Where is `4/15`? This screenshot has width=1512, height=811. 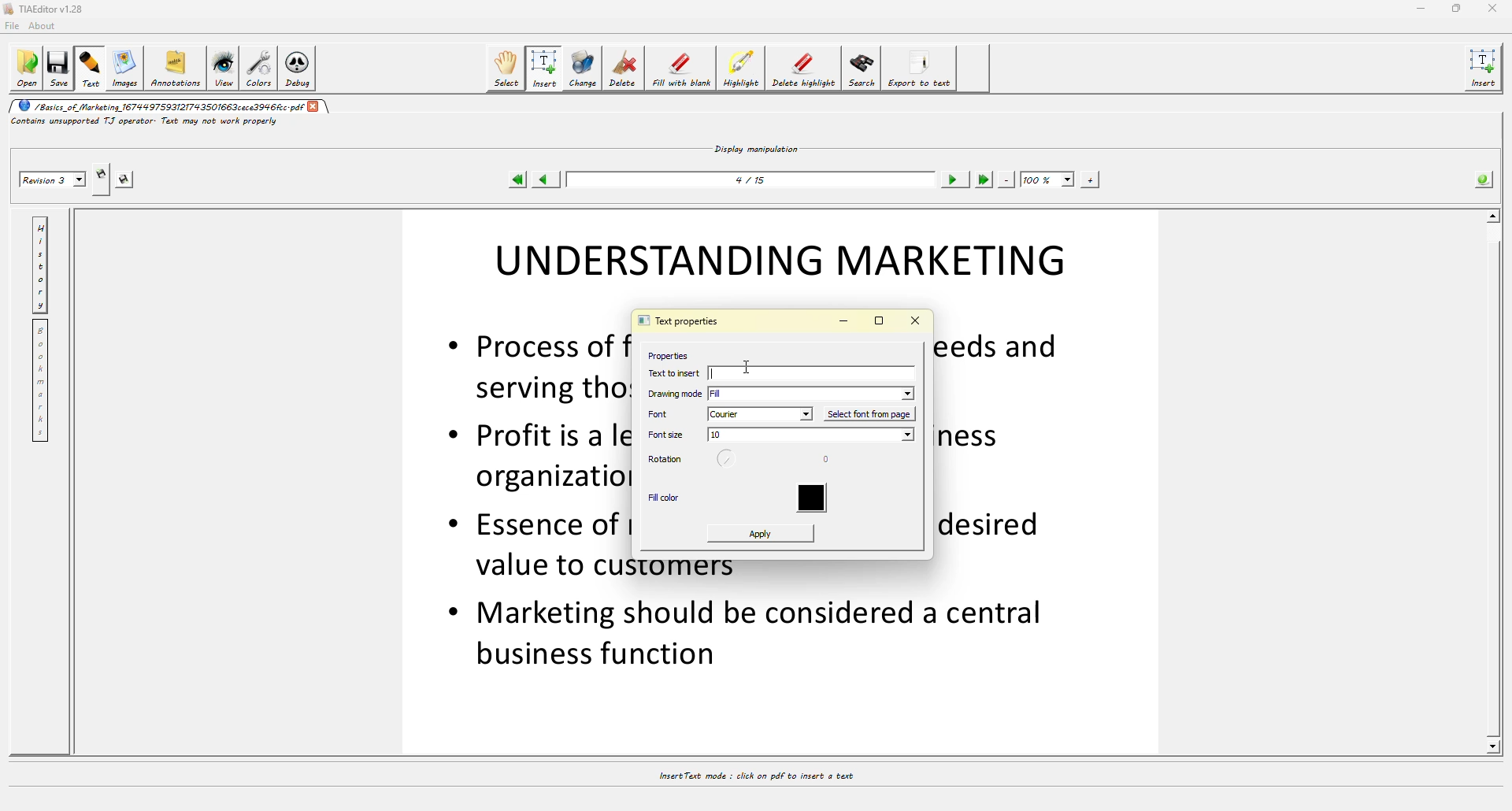 4/15 is located at coordinates (754, 179).